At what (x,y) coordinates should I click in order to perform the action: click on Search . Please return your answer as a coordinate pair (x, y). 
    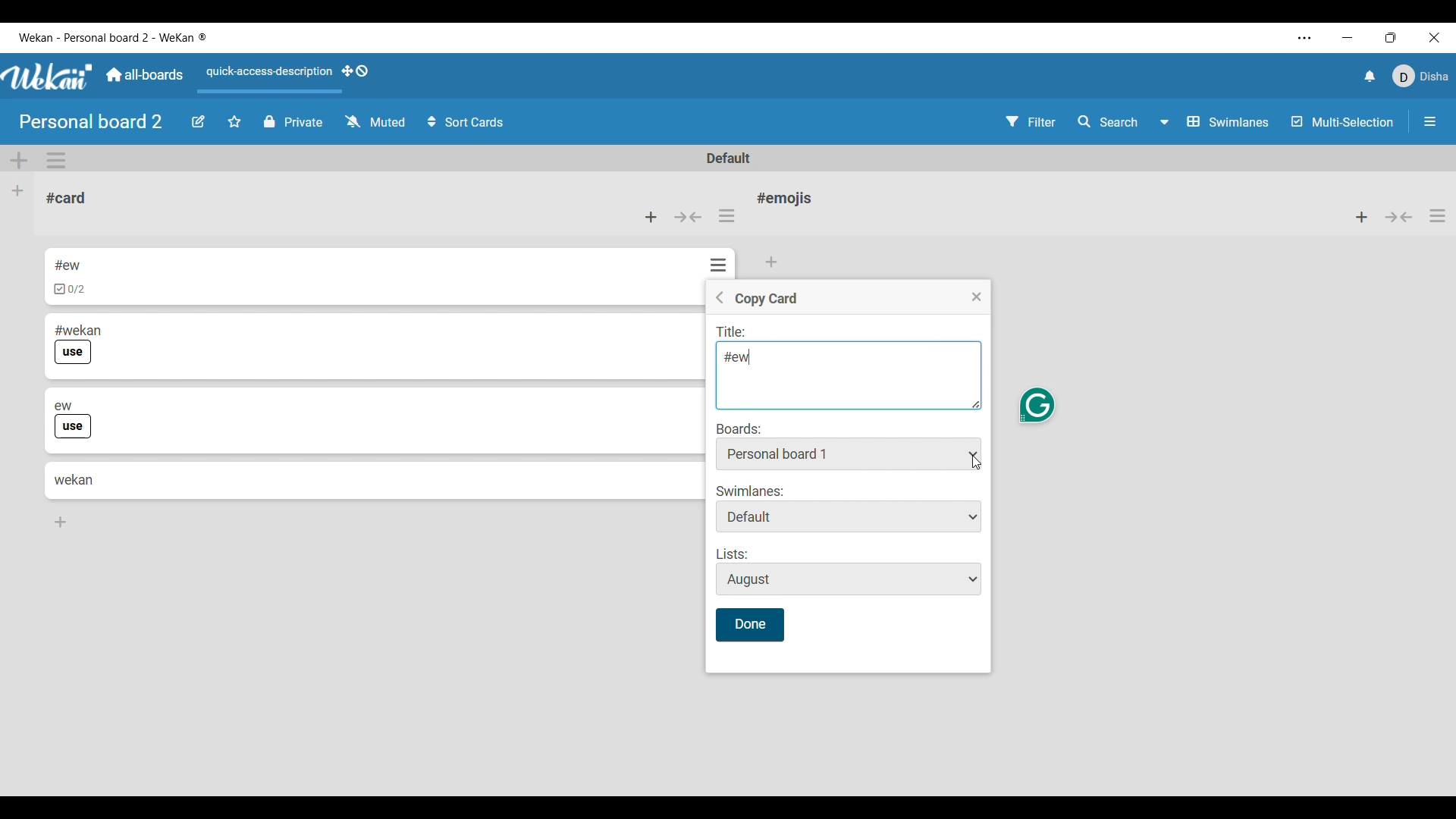
    Looking at the image, I should click on (1108, 122).